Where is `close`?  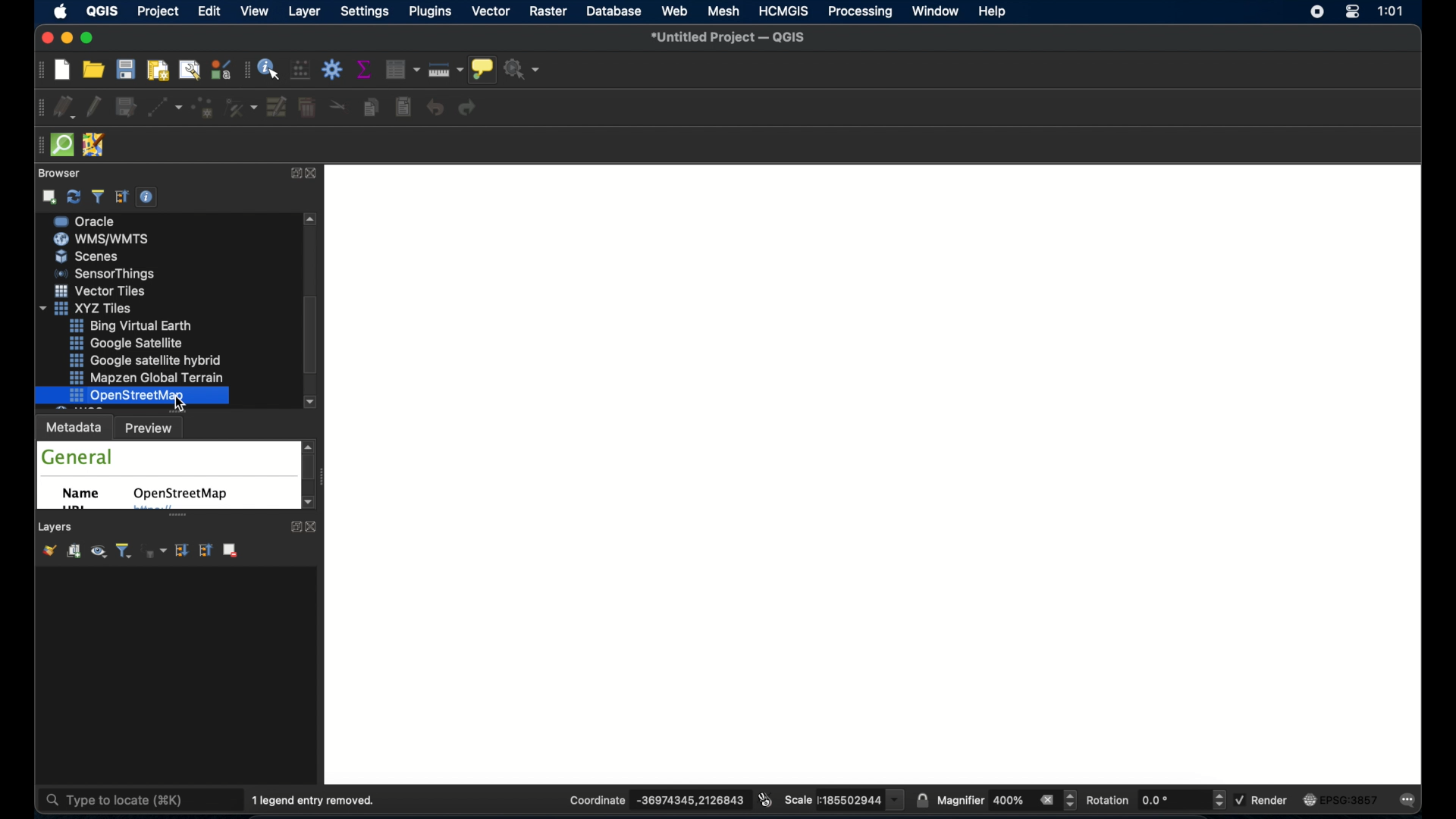
close is located at coordinates (45, 38).